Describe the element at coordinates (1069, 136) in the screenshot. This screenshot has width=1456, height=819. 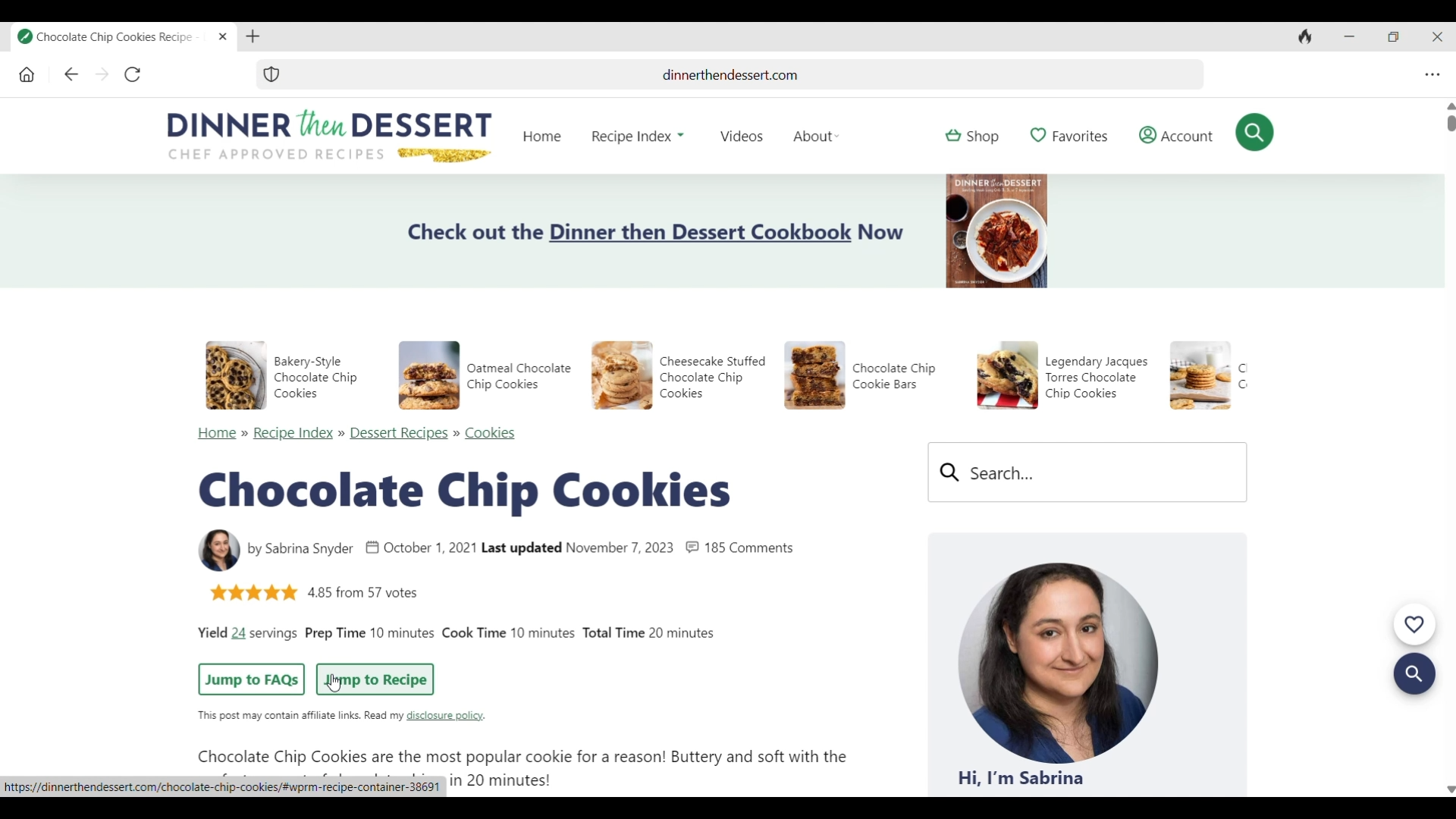
I see `Add recipe to favorites` at that location.